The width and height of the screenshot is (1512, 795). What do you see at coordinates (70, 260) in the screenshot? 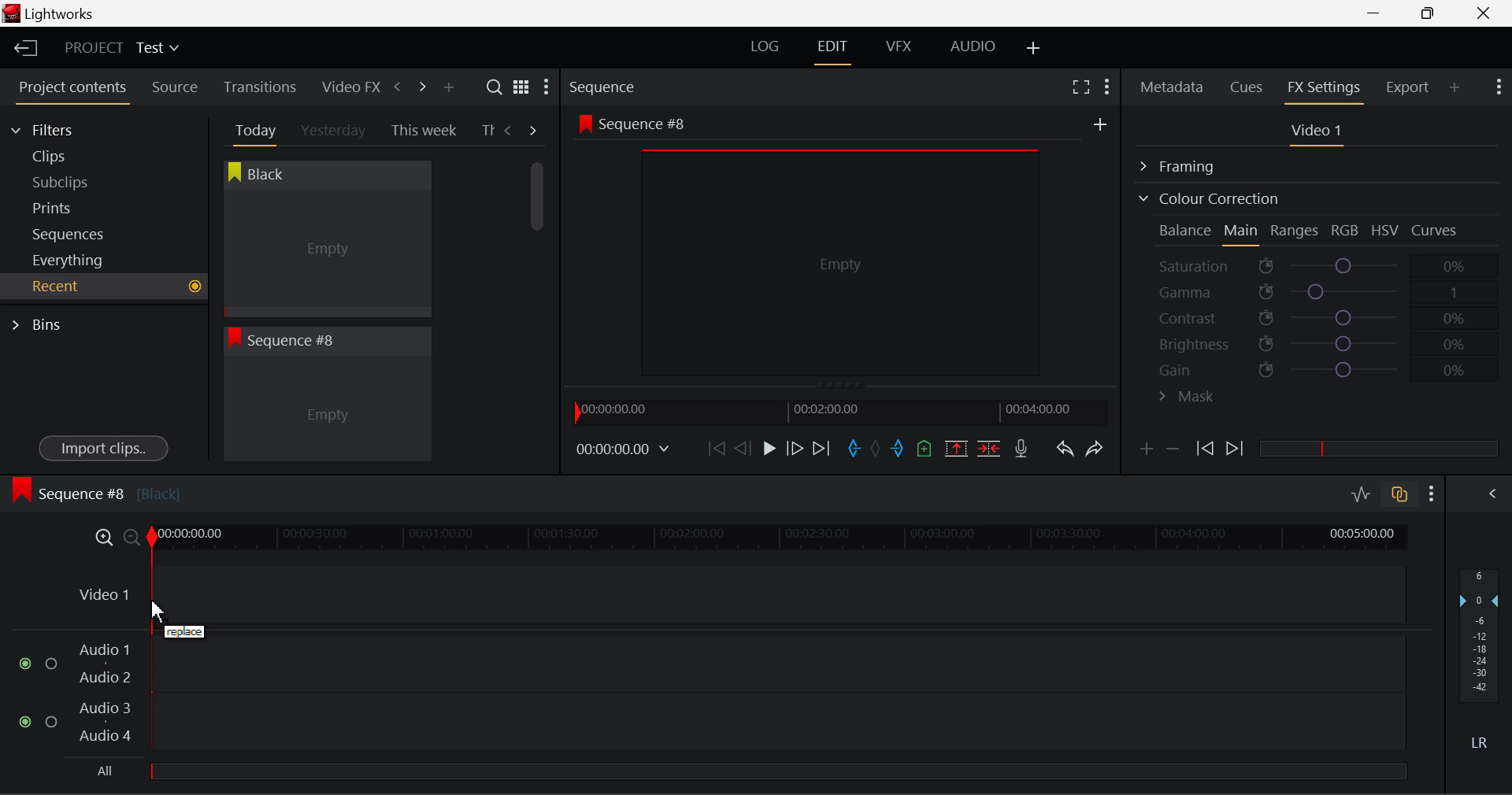
I see `Everything` at bounding box center [70, 260].